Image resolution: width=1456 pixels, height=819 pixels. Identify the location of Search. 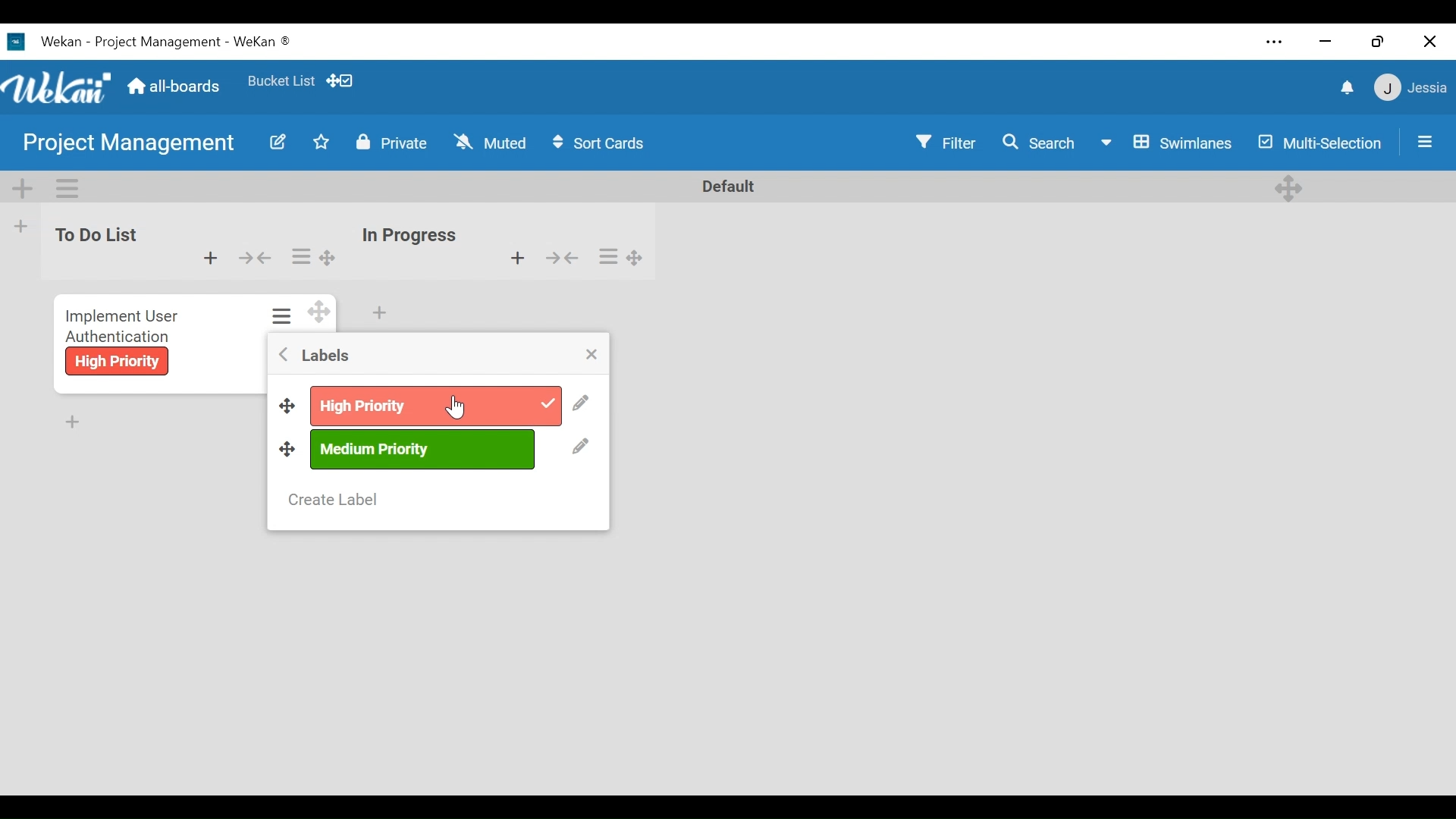
(1043, 142).